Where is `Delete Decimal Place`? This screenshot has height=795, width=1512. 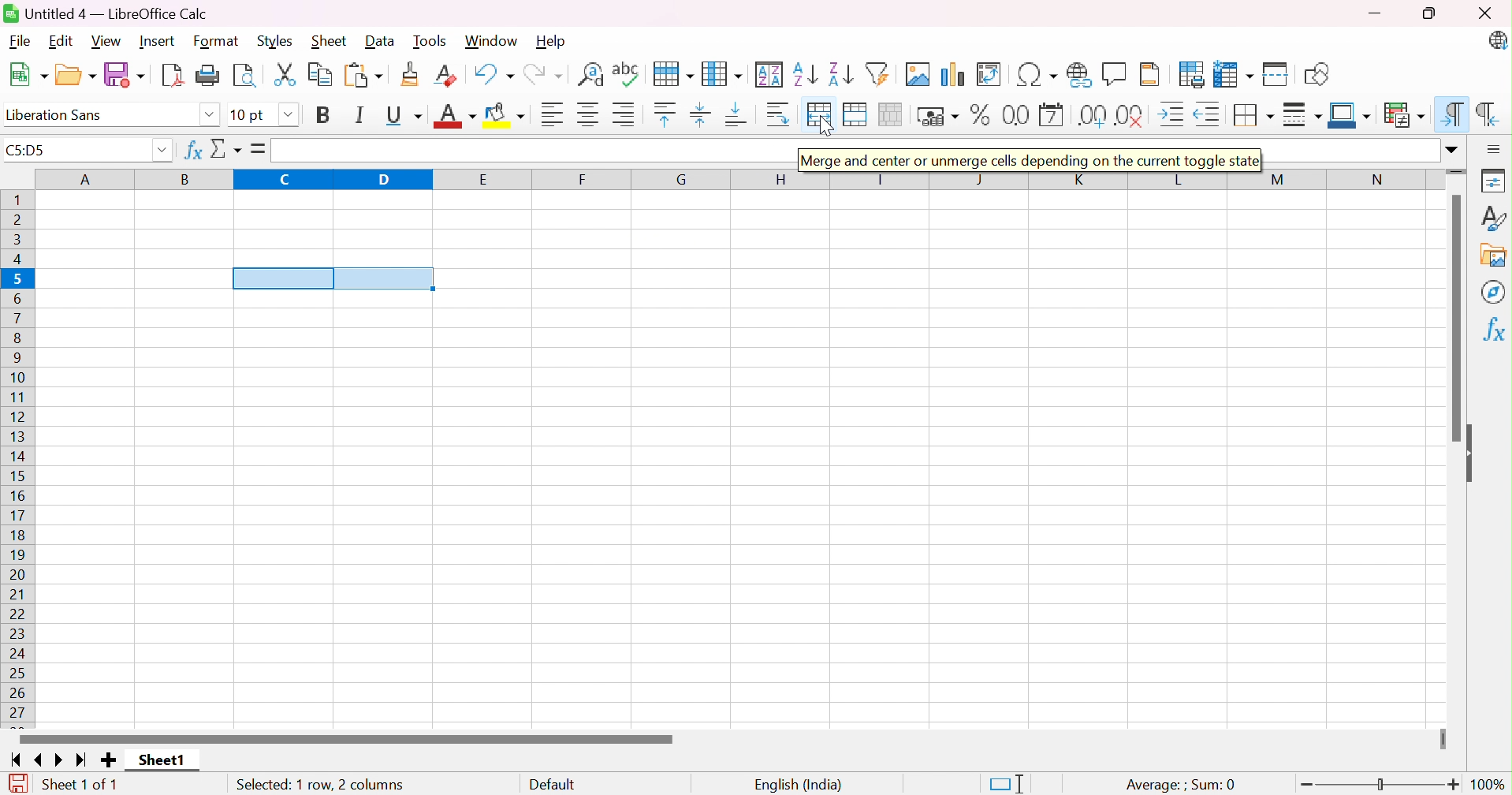
Delete Decimal Place is located at coordinates (1133, 114).